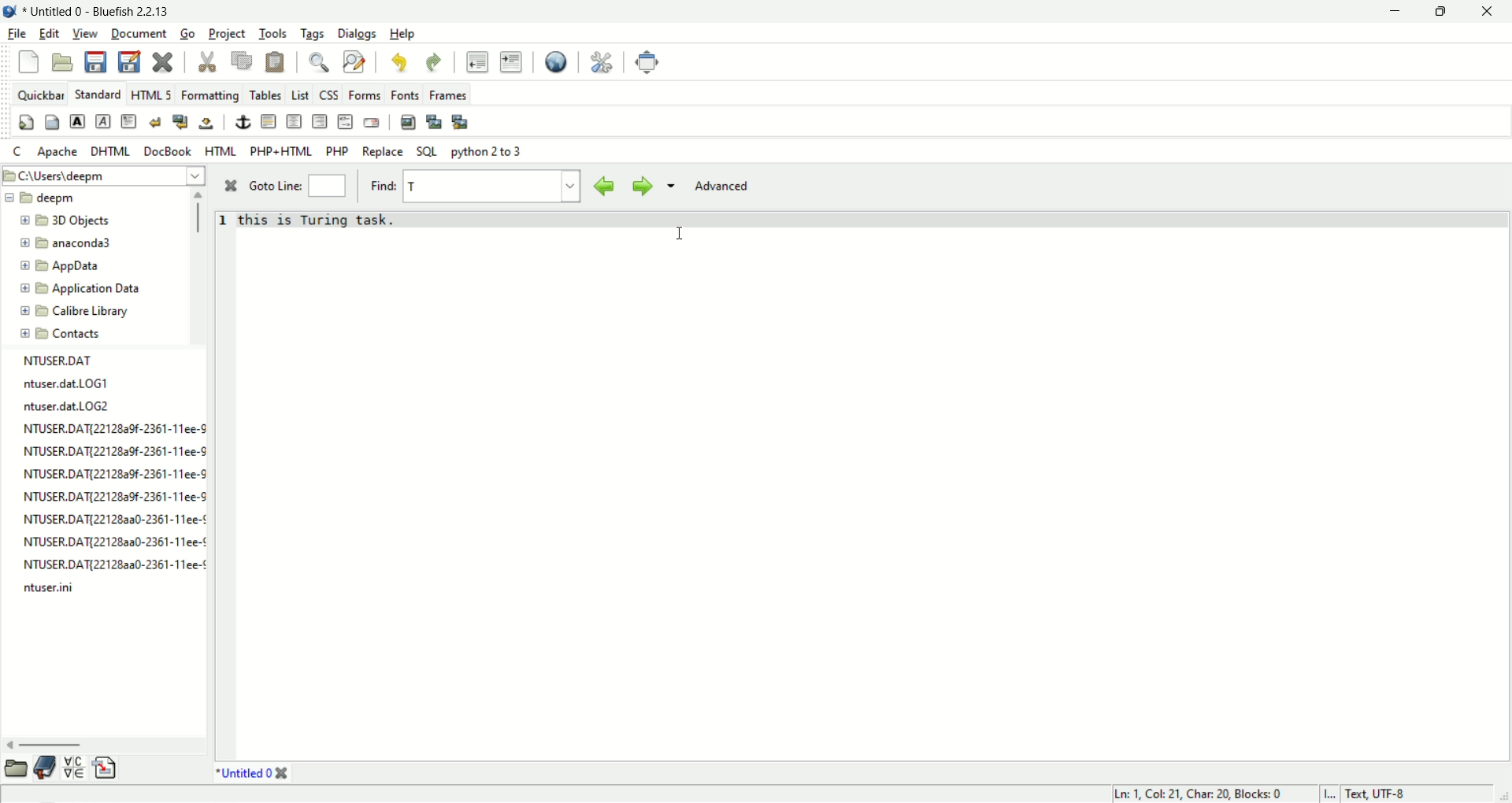  Describe the element at coordinates (268, 121) in the screenshot. I see `horizontal rule` at that location.